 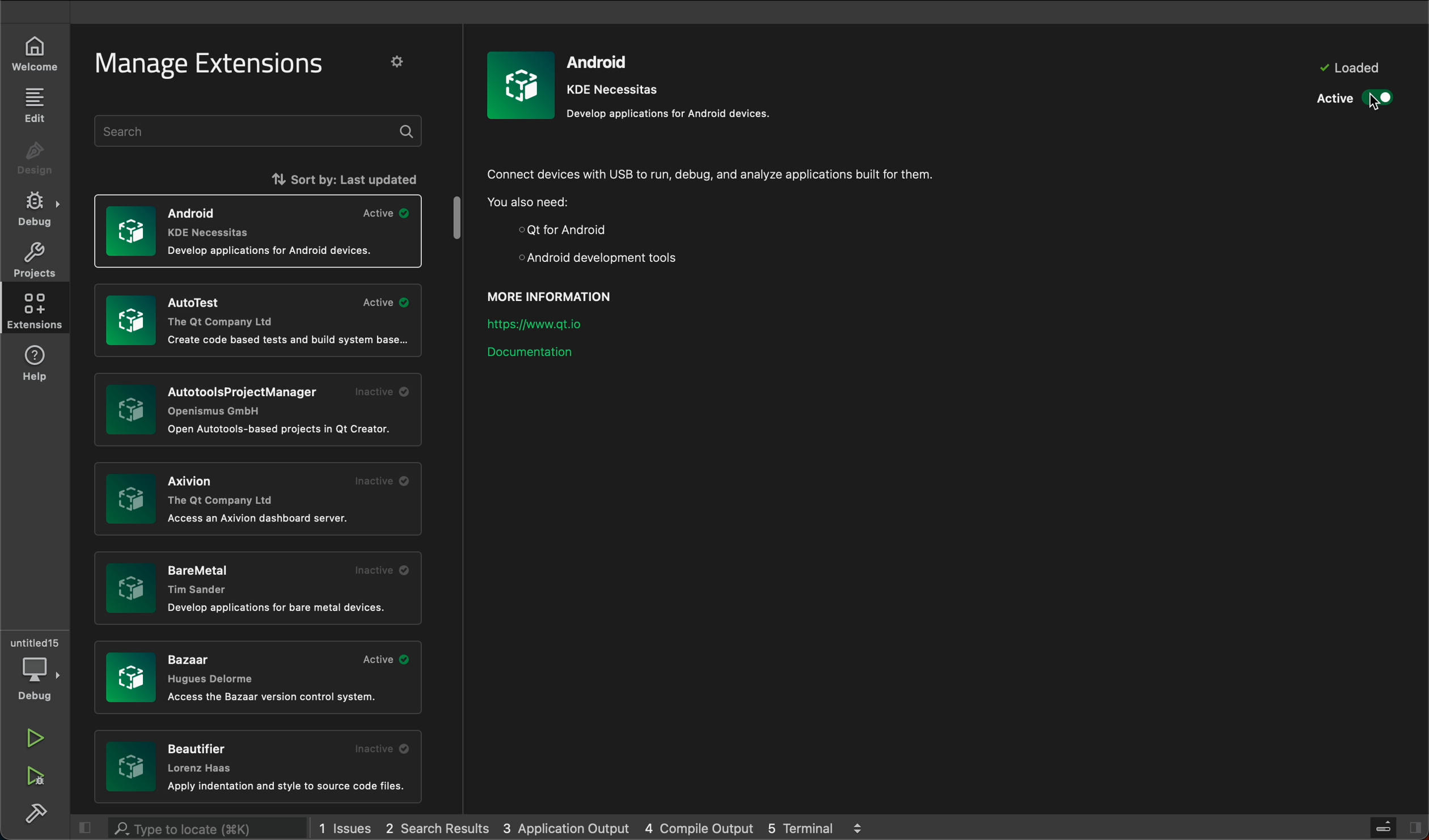 What do you see at coordinates (256, 586) in the screenshot?
I see `extensions list` at bounding box center [256, 586].